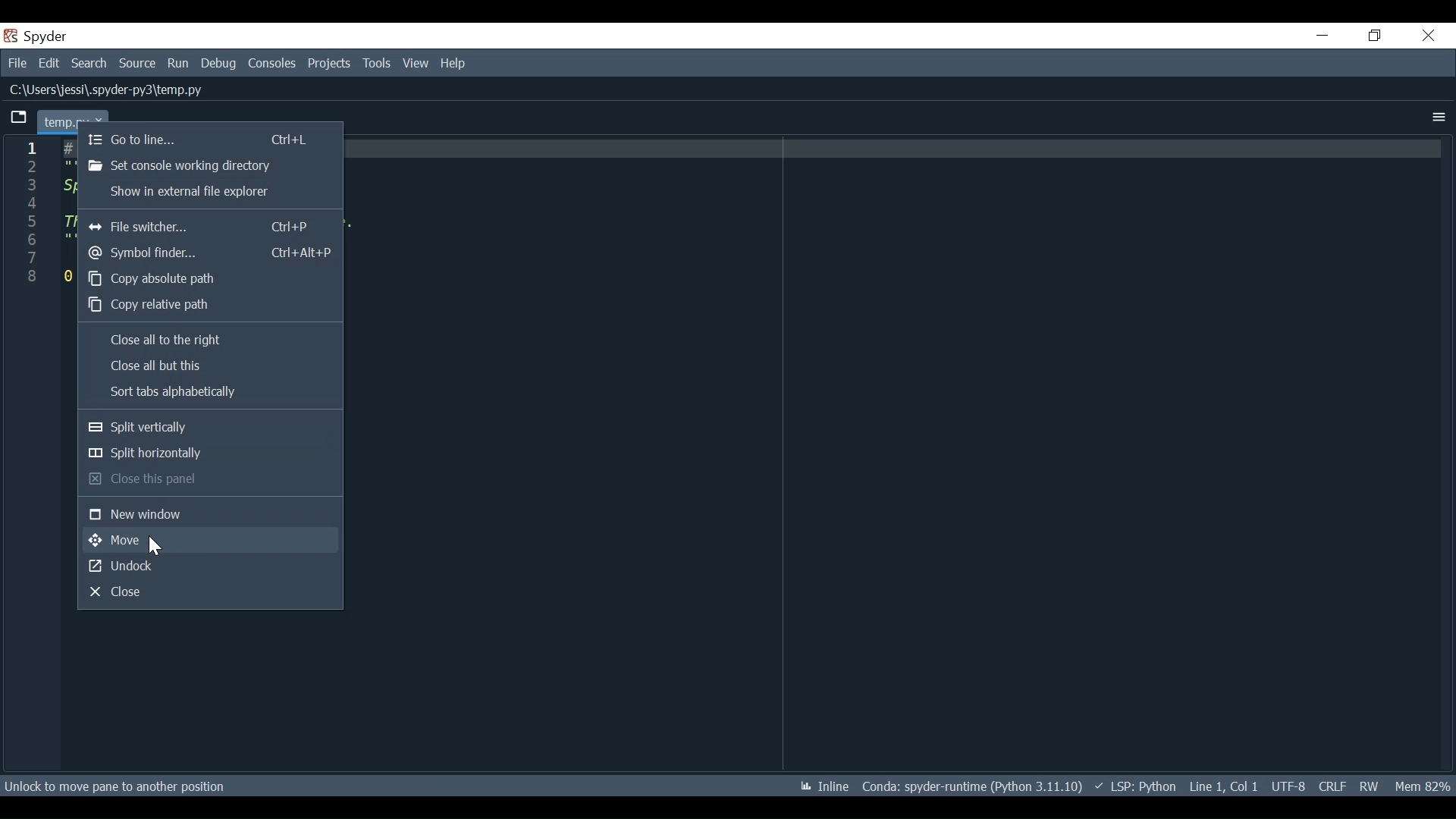  I want to click on More Options, so click(1436, 115).